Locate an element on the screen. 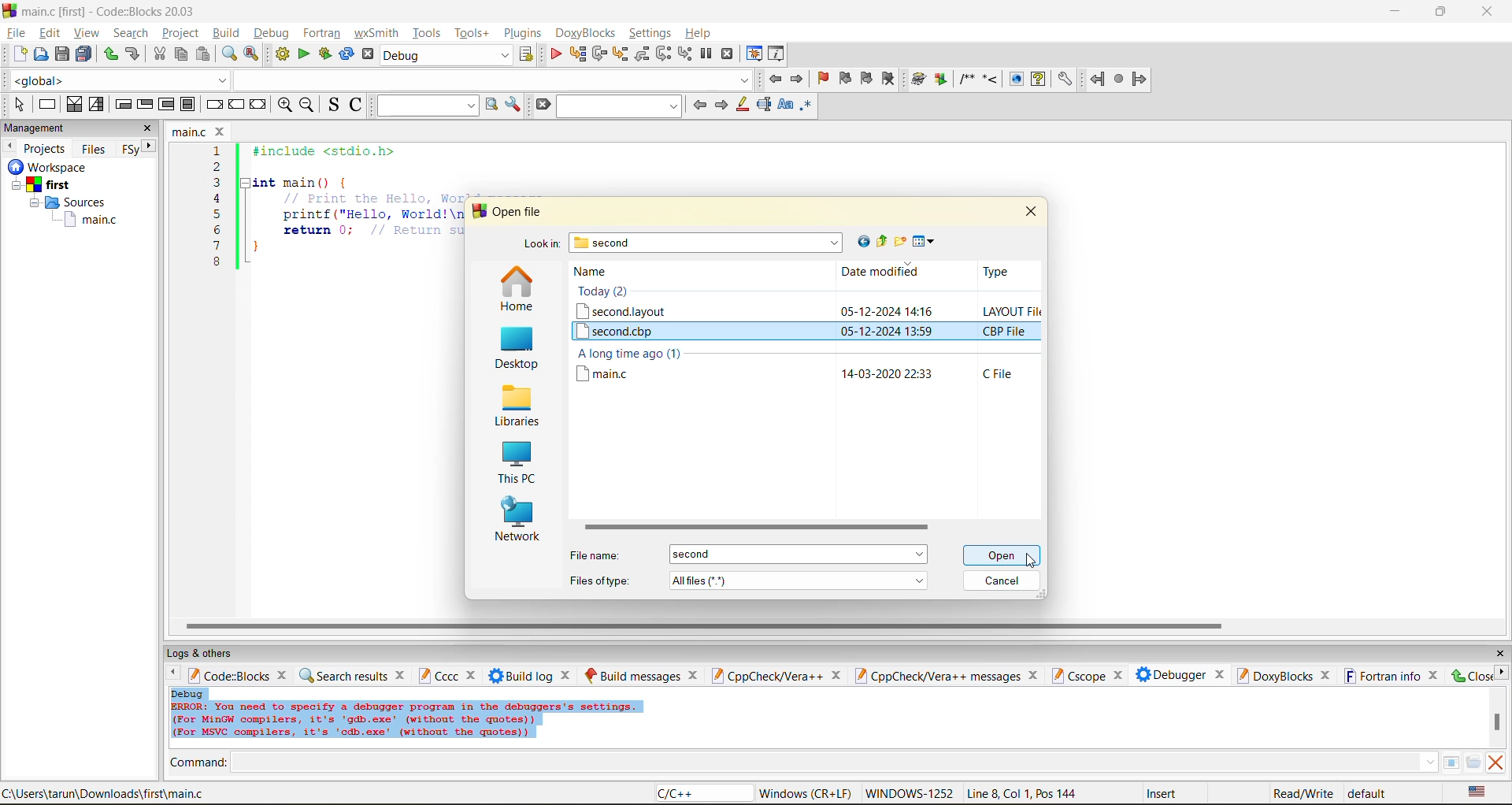  paste is located at coordinates (203, 54).